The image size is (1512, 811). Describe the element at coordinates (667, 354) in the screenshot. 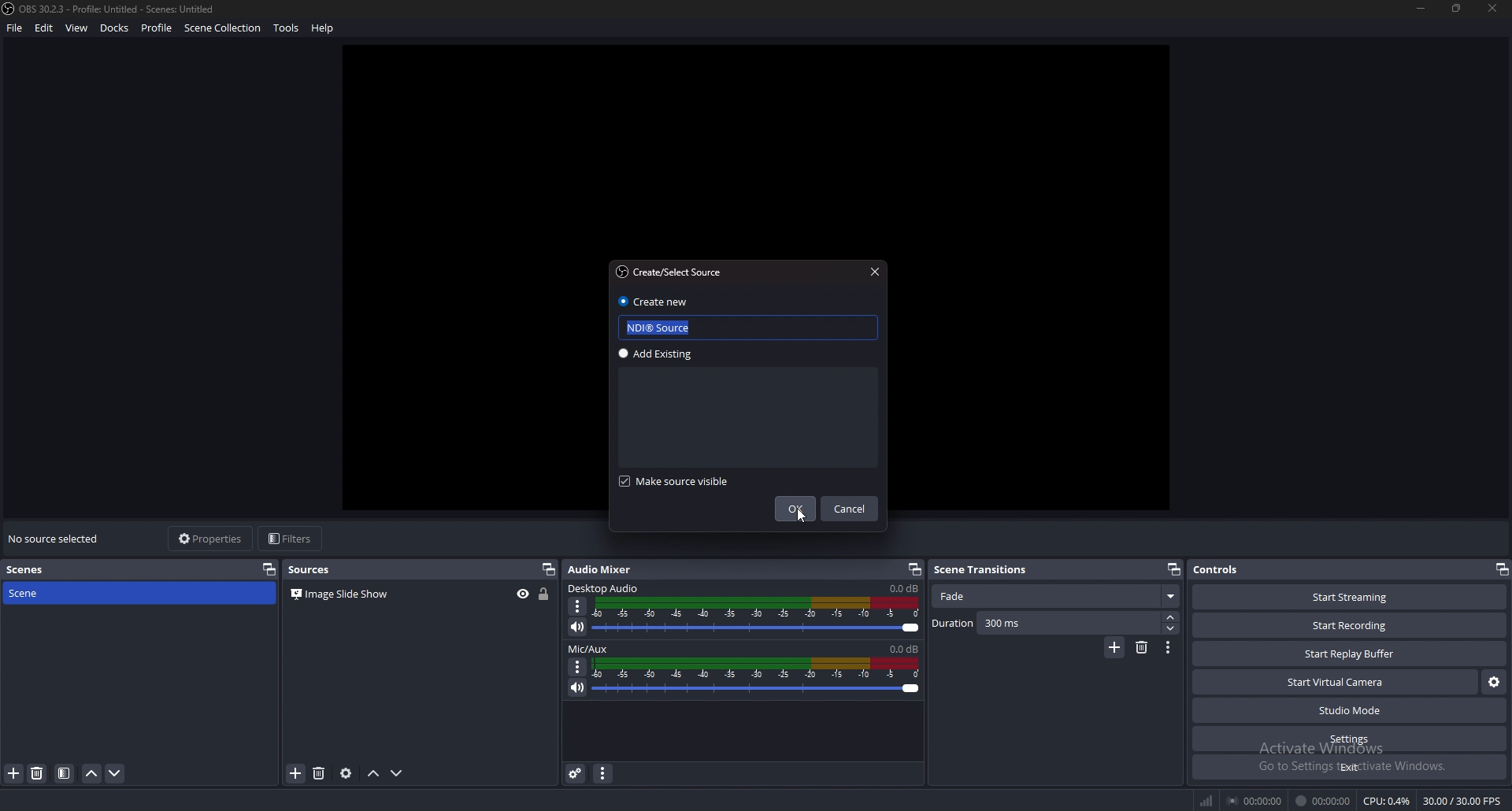

I see `add existing` at that location.